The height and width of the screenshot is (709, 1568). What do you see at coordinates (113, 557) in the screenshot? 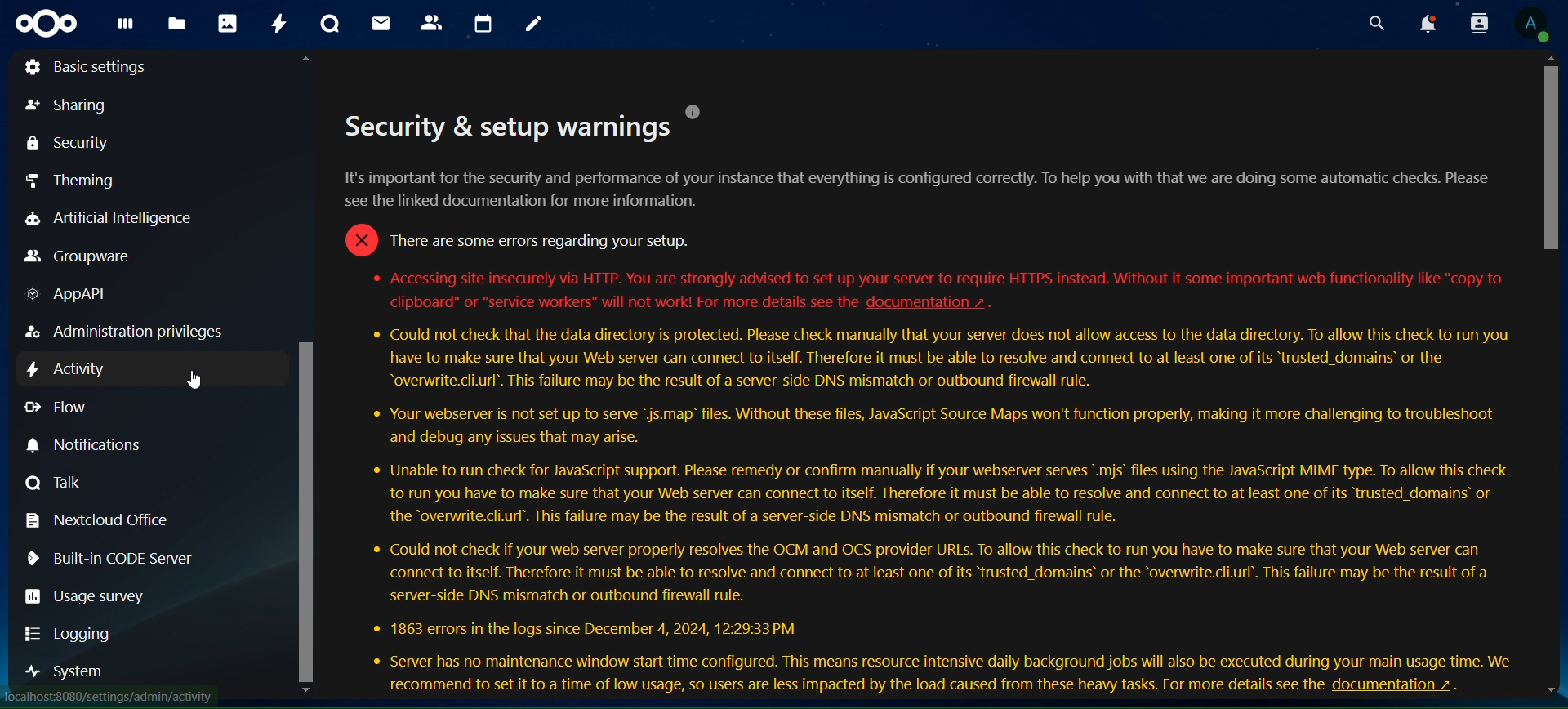
I see `built-in-CODE Server` at bounding box center [113, 557].